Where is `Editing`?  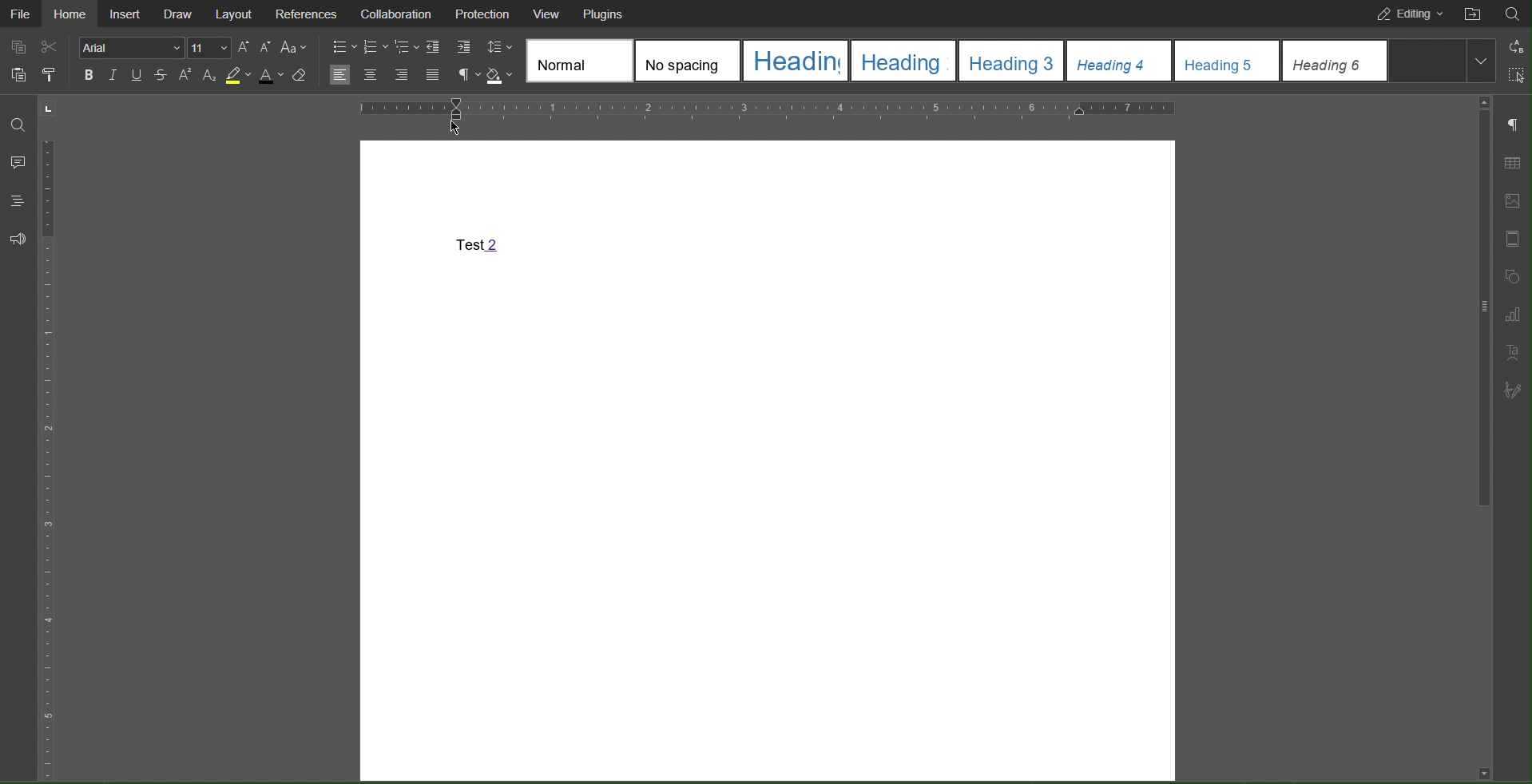
Editing is located at coordinates (1405, 14).